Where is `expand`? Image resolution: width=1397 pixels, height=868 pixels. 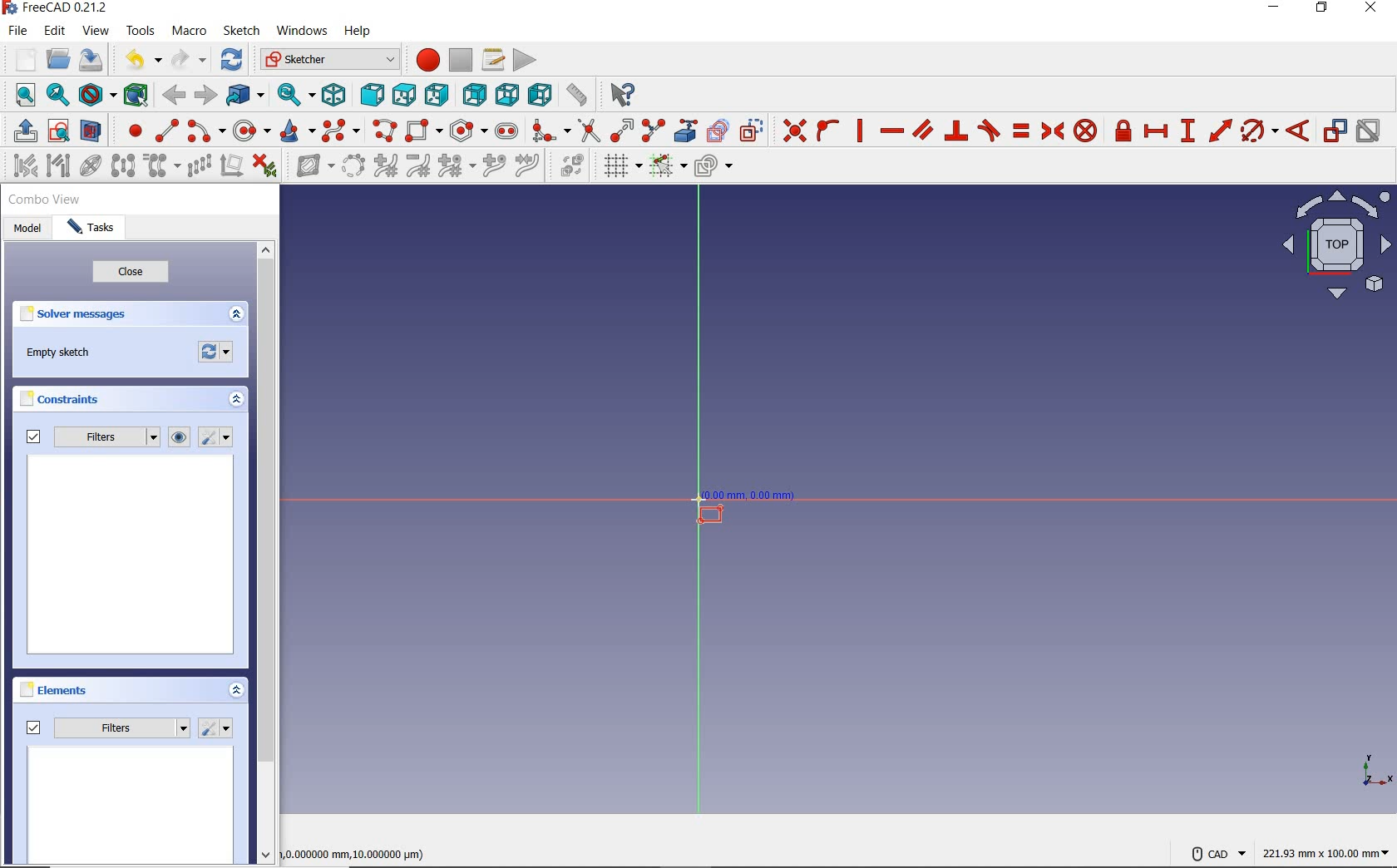
expand is located at coordinates (235, 689).